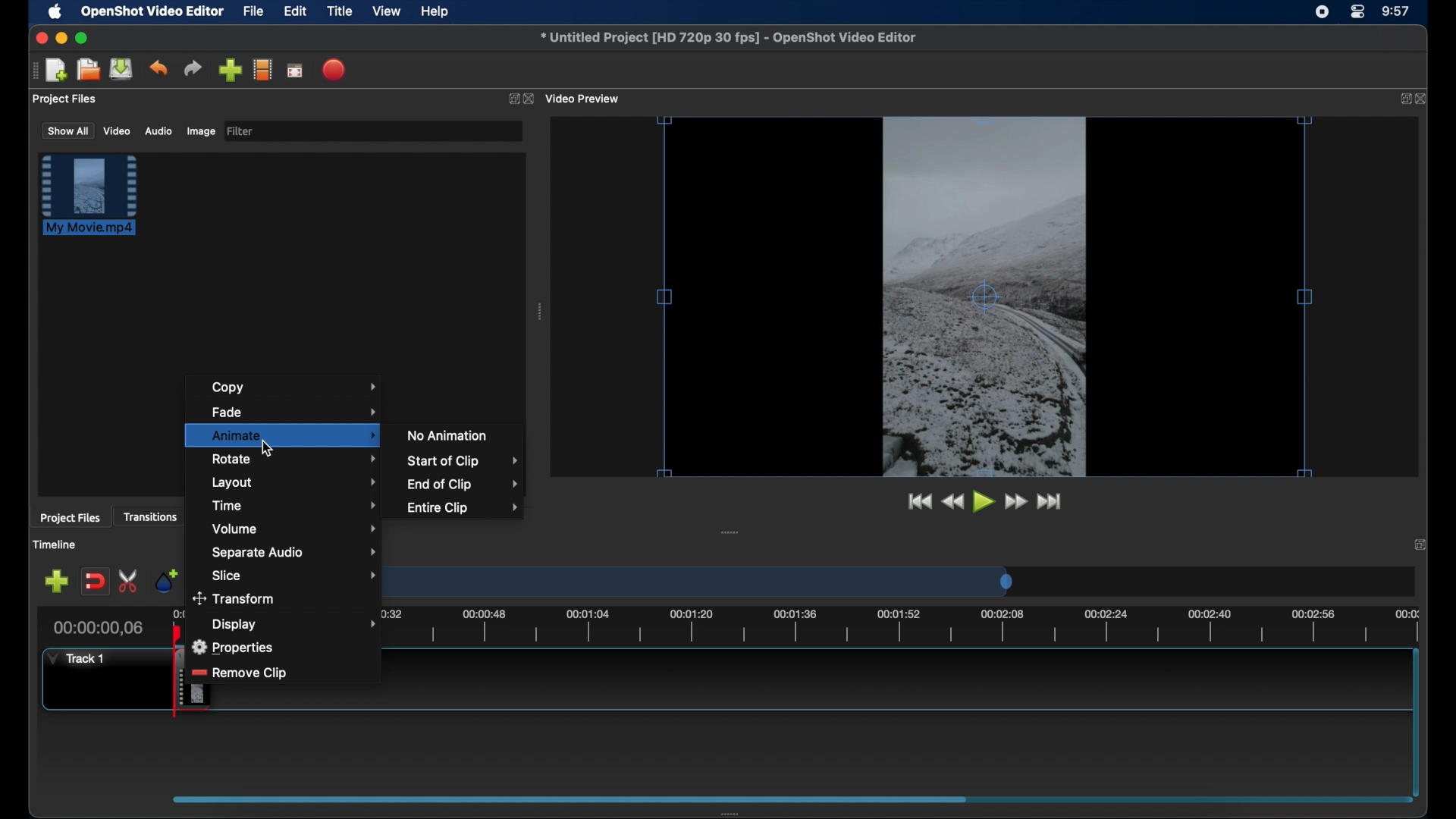  I want to click on properties, so click(236, 645).